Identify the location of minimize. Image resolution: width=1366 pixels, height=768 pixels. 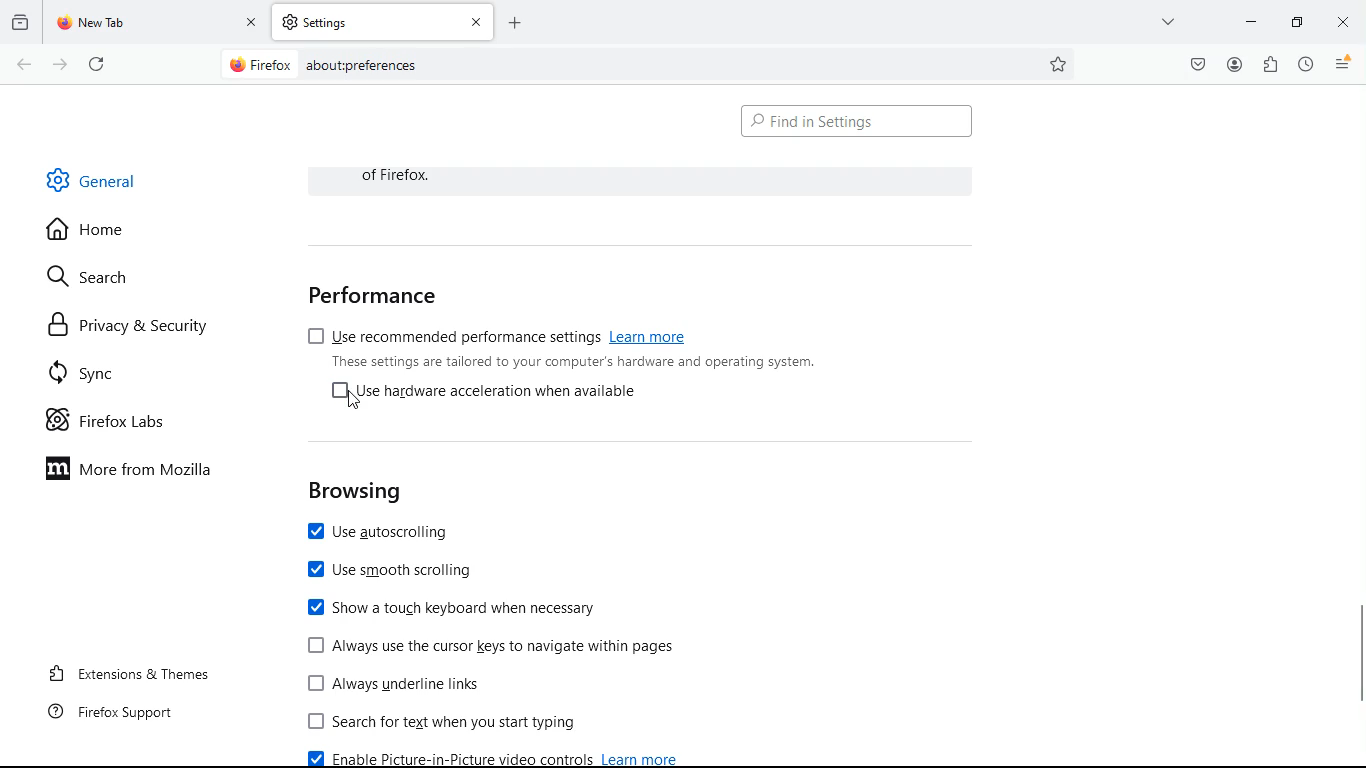
(1295, 21).